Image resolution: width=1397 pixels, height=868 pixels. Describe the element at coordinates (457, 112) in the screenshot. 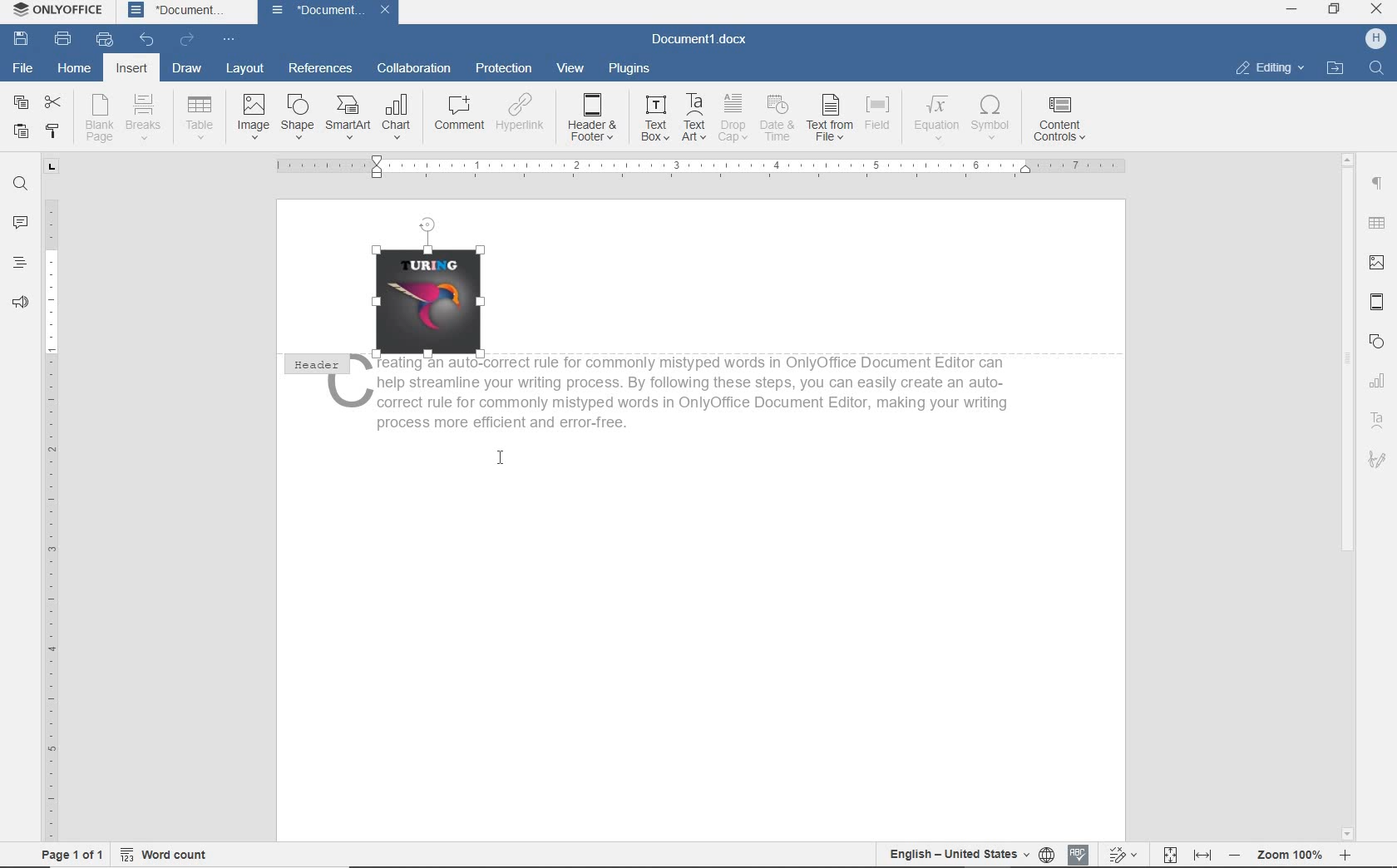

I see `` at that location.